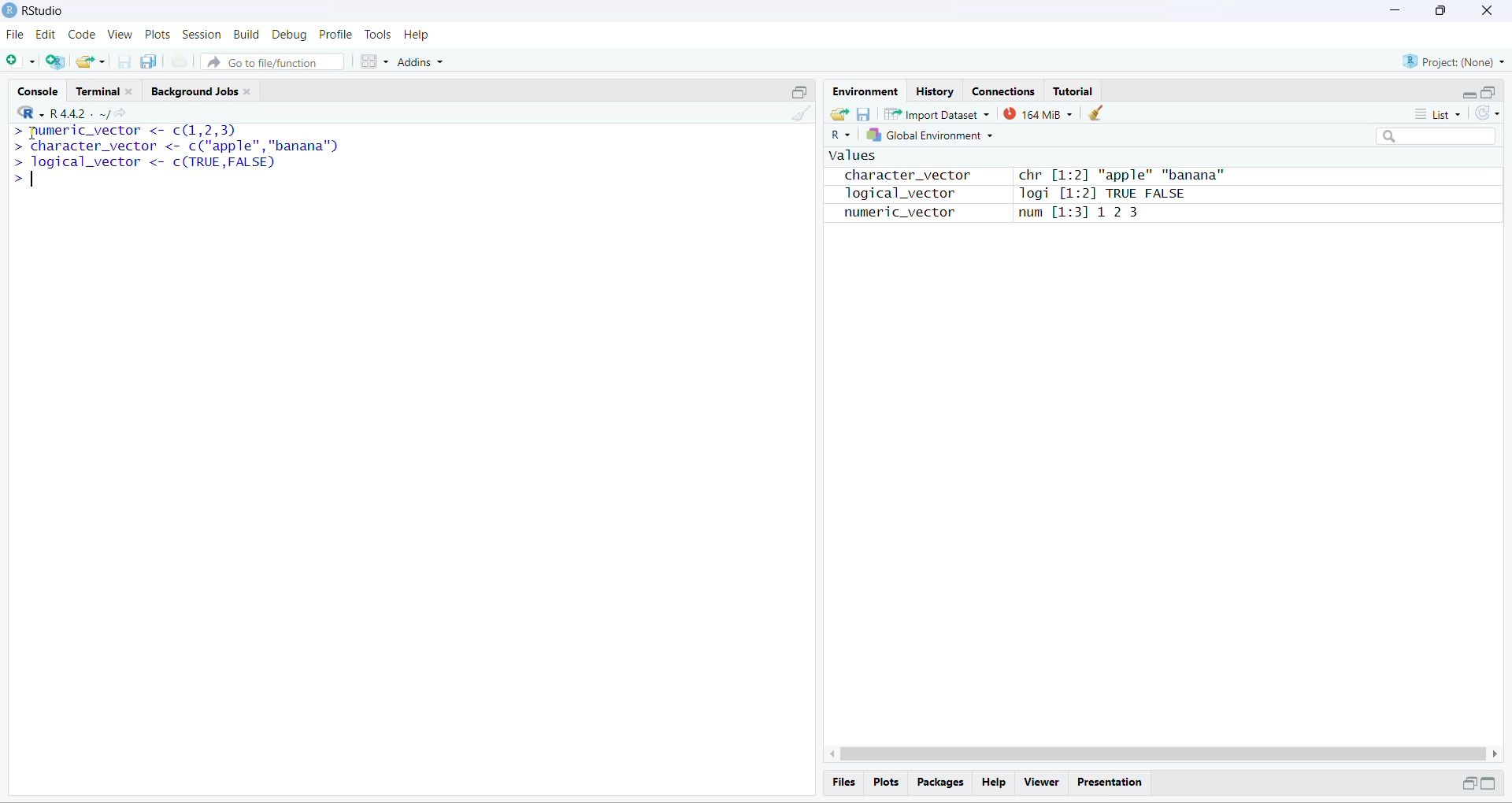  Describe the element at coordinates (418, 35) in the screenshot. I see `Help` at that location.